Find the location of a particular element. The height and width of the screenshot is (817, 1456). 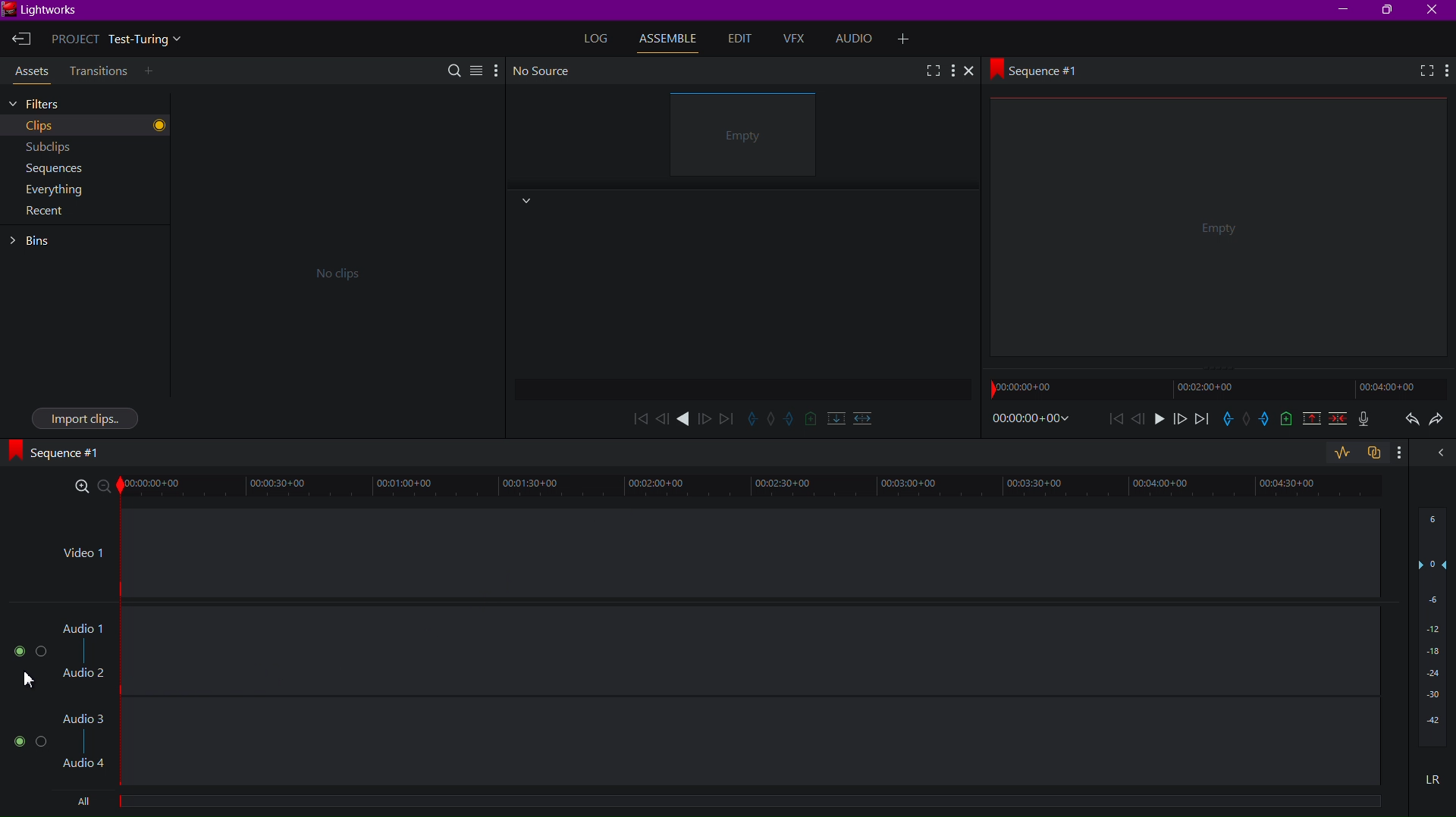

front is located at coordinates (1178, 421).